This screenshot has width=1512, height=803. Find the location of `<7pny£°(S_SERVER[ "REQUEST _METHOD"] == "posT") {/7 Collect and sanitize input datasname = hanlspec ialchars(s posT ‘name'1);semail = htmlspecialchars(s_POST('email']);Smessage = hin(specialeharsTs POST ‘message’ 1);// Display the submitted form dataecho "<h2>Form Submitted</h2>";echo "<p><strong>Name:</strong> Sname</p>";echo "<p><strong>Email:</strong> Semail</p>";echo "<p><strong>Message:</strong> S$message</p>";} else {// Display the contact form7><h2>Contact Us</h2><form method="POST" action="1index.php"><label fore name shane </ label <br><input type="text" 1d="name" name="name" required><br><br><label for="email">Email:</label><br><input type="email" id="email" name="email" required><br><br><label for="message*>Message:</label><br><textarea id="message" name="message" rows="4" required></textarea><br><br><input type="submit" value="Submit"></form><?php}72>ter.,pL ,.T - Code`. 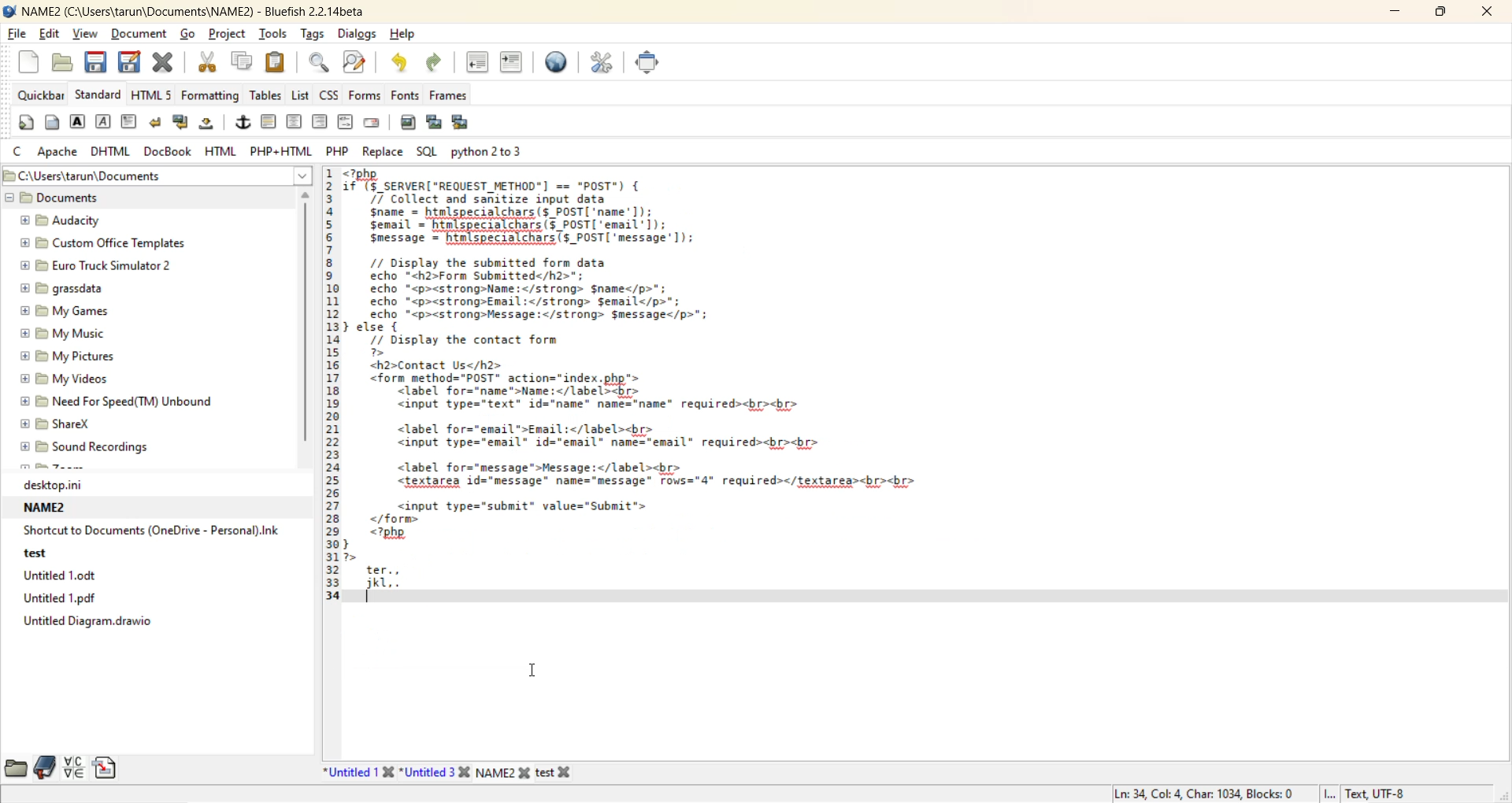

<7pny£°(S_SERVER[ "REQUEST _METHOD"] == "posT") {/7 Collect and sanitize input datasname = hanlspec ialchars(s posT ‘name'1);semail = htmlspecialchars(s_POST('email']);Smessage = hin(specialeharsTs POST ‘message’ 1);// Display the submitted form dataecho "<h2>Form Submitted</h2>";echo "<p><strong>Name:</strong> Sname</p>";echo "<p><strong>Email:</strong> Semail</p>";echo "<p><strong>Message:</strong> S$message</p>";} else {// Display the contact form7><h2>Contact Us</h2><form method="POST" action="1index.php"><label fore name shane </ label <br><input type="text" 1d="name" name="name" required><br><br><label for="email">Email:</label><br><input type="email" id="email" name="email" required><br><br><label for="message*>Message:</label><br><textarea id="message" name="message" rows="4" required></textarea><br><br><input type="submit" value="Submit"></form><?php}72>ter.,pL ,.T - Code is located at coordinates (695, 420).